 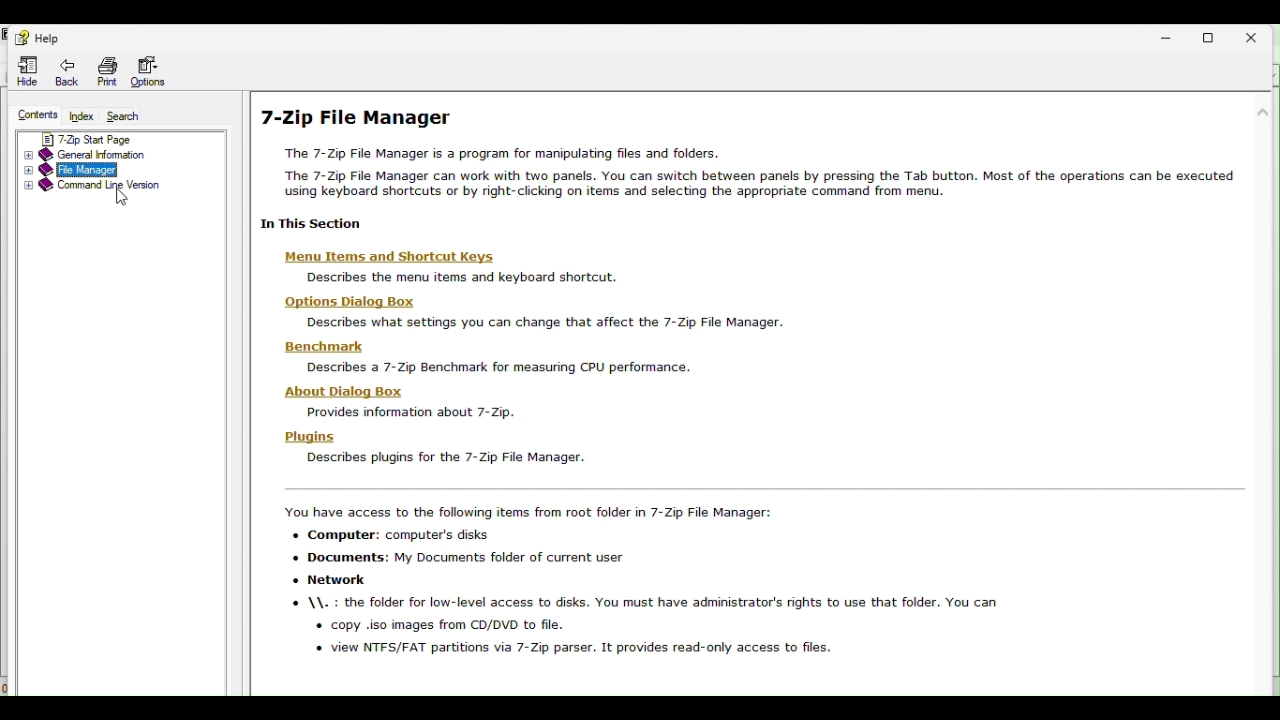 I want to click on 7-Zip File Manager, so click(x=361, y=118).